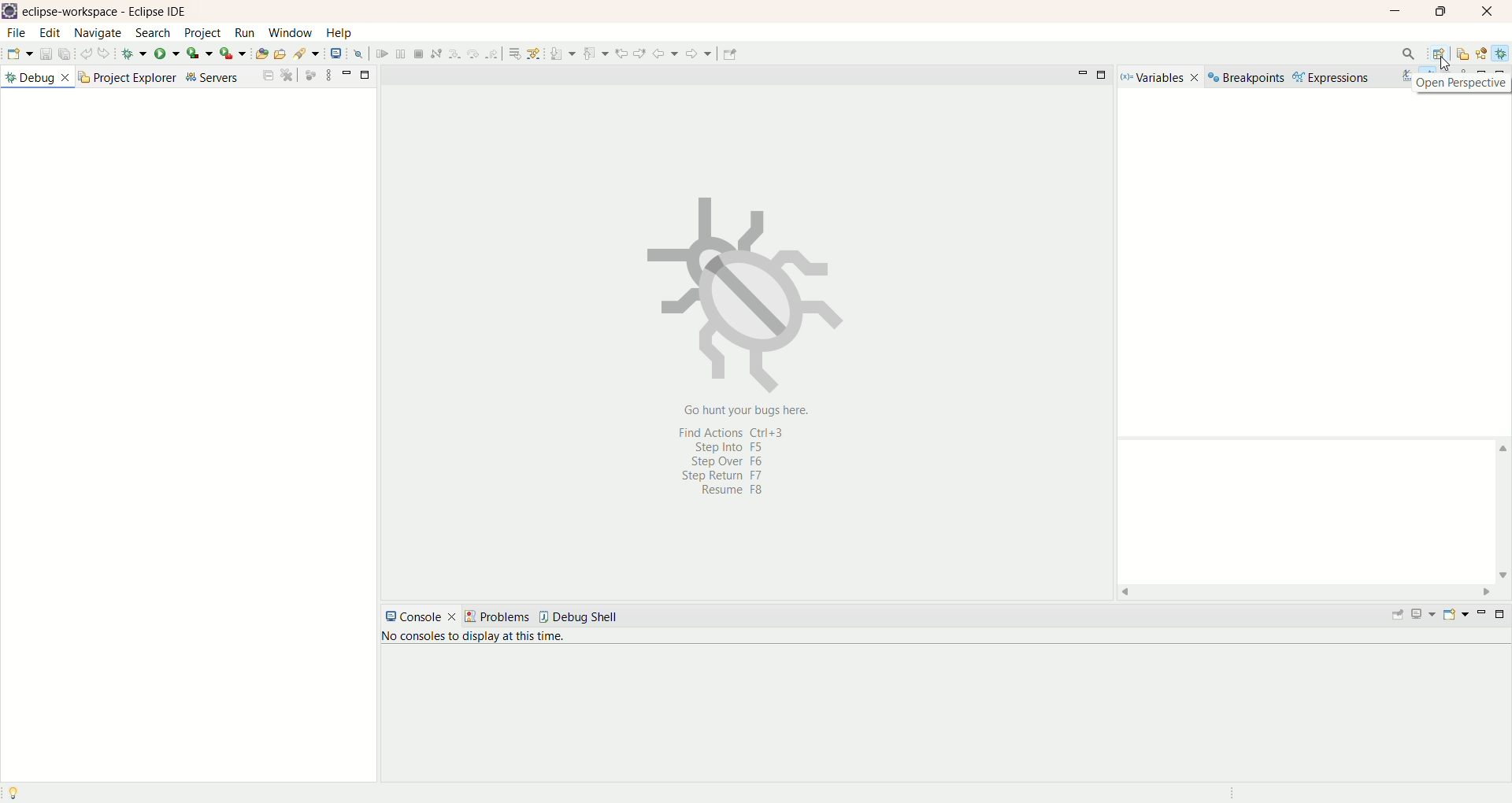 Image resolution: width=1512 pixels, height=803 pixels. Describe the element at coordinates (472, 55) in the screenshot. I see `skip all breakpoints` at that location.